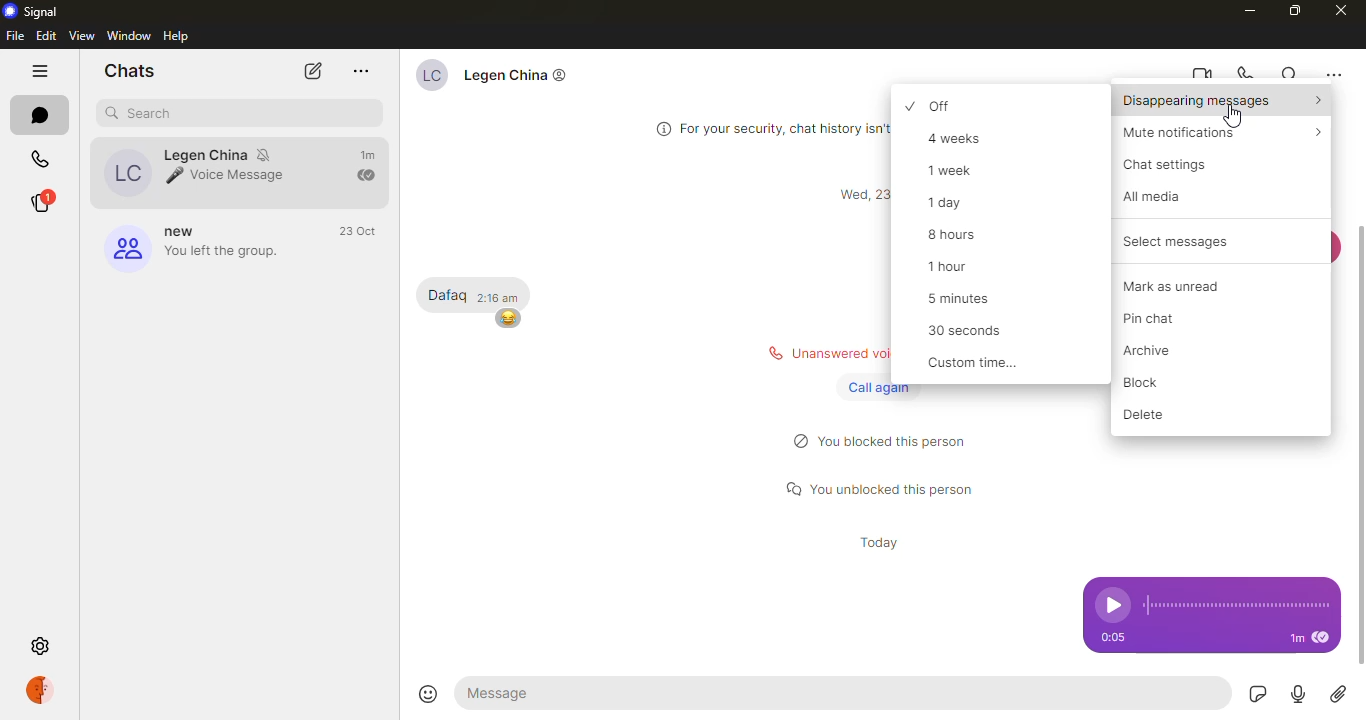 Image resolution: width=1366 pixels, height=720 pixels. What do you see at coordinates (427, 690) in the screenshot?
I see `emoji` at bounding box center [427, 690].